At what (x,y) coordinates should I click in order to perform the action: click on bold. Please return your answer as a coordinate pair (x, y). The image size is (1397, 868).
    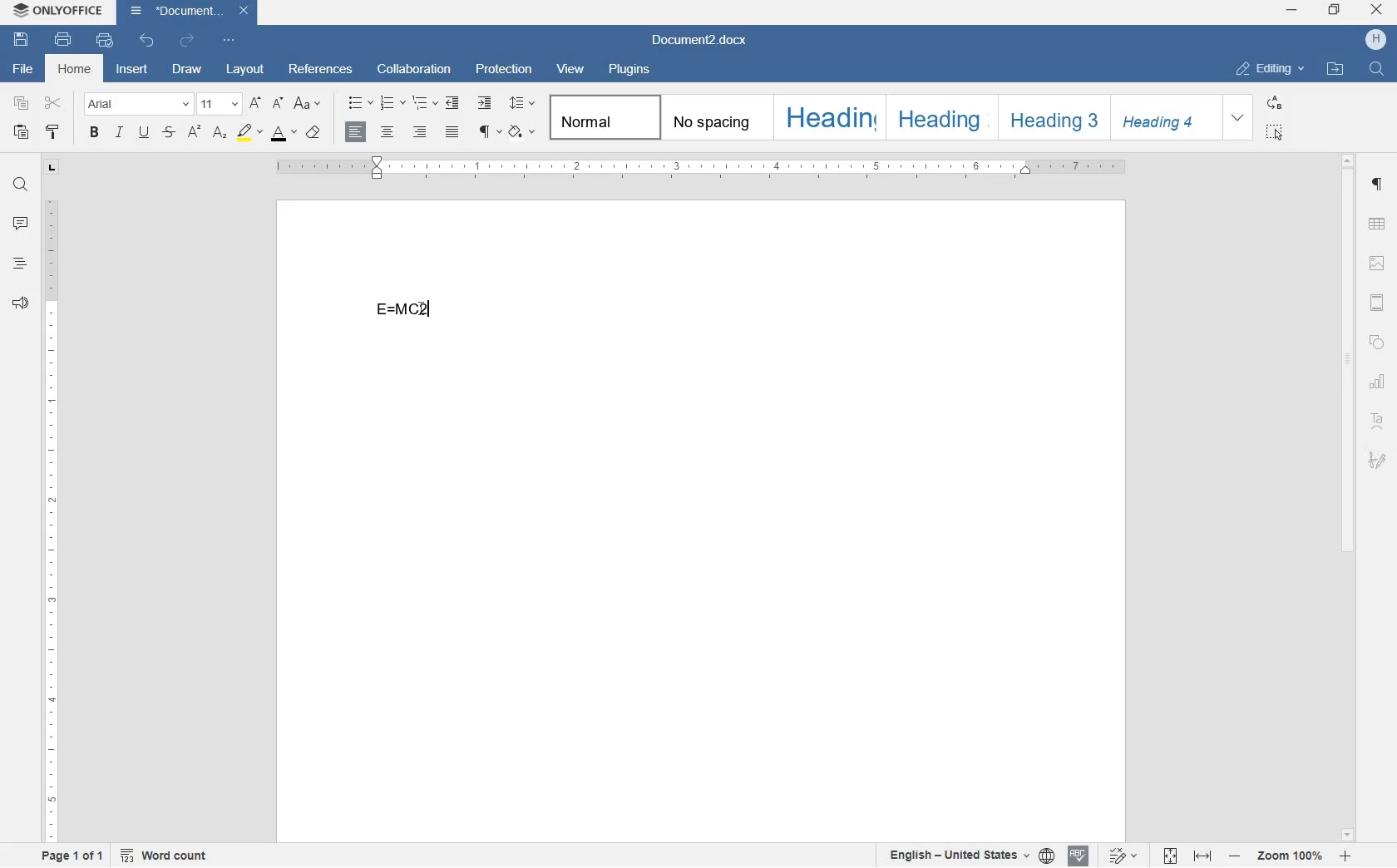
    Looking at the image, I should click on (93, 131).